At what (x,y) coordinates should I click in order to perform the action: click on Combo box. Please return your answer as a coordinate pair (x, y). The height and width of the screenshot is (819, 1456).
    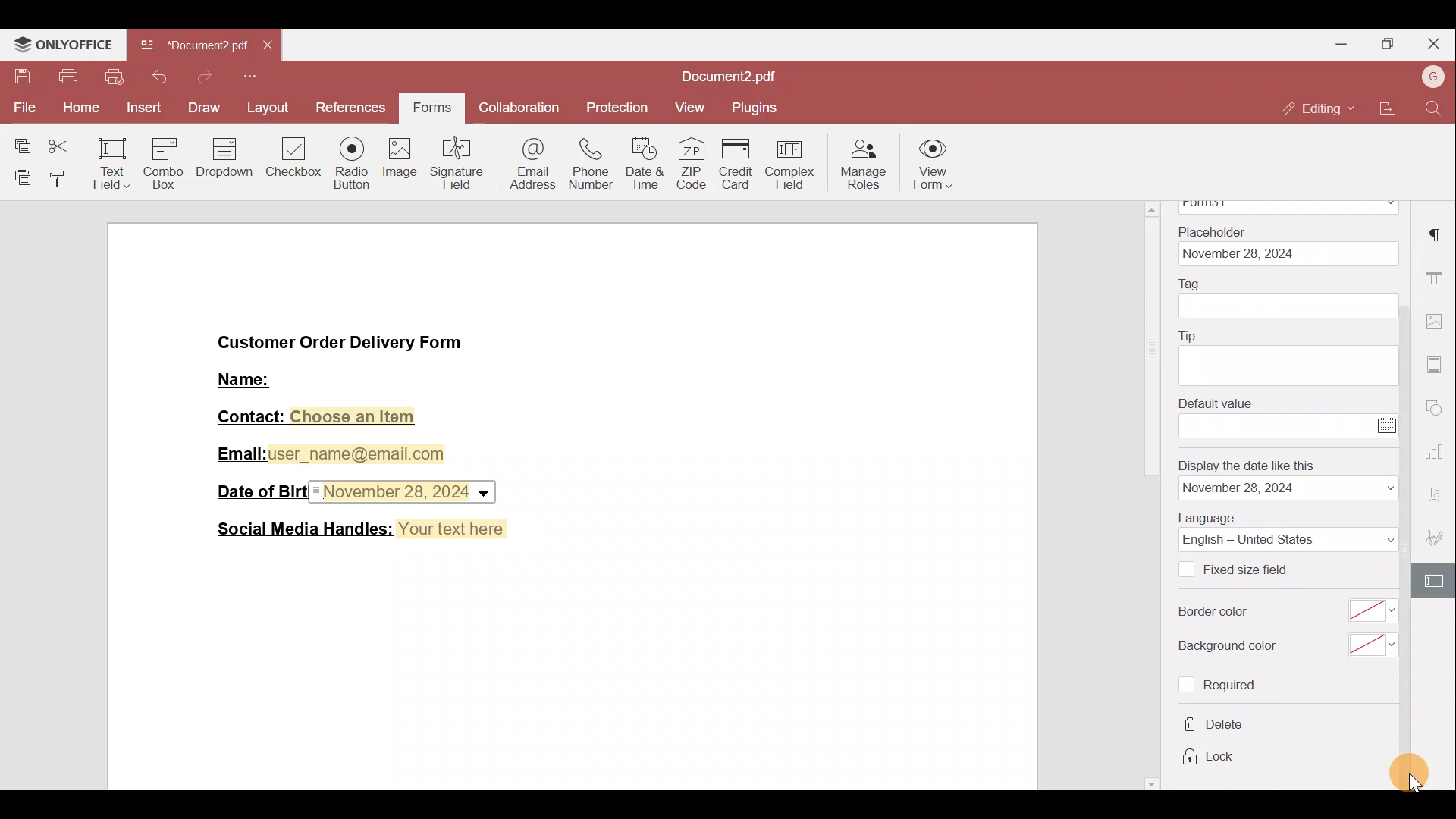
    Looking at the image, I should click on (162, 161).